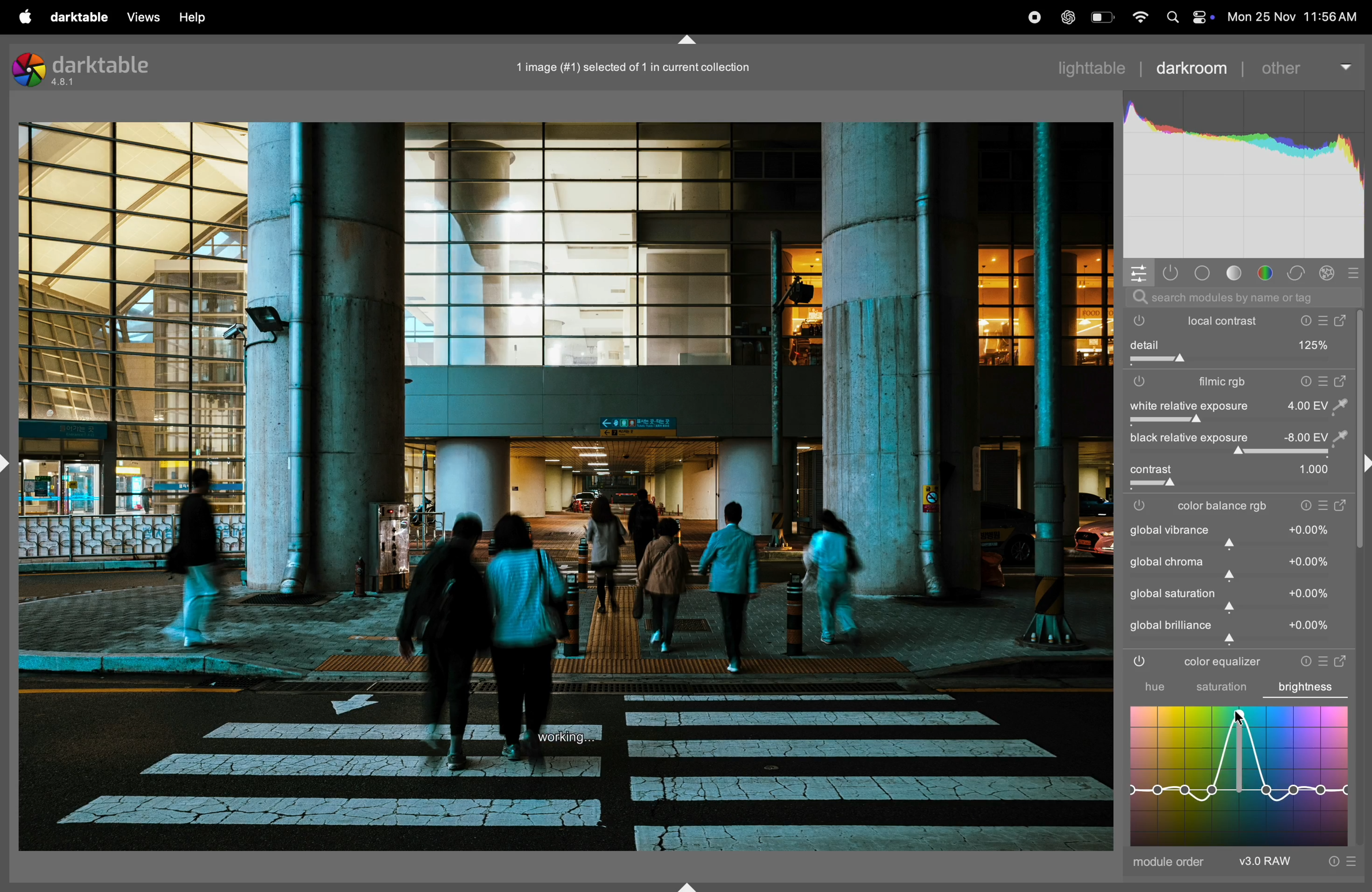  What do you see at coordinates (1136, 322) in the screenshot?
I see `local contrast is switched off` at bounding box center [1136, 322].